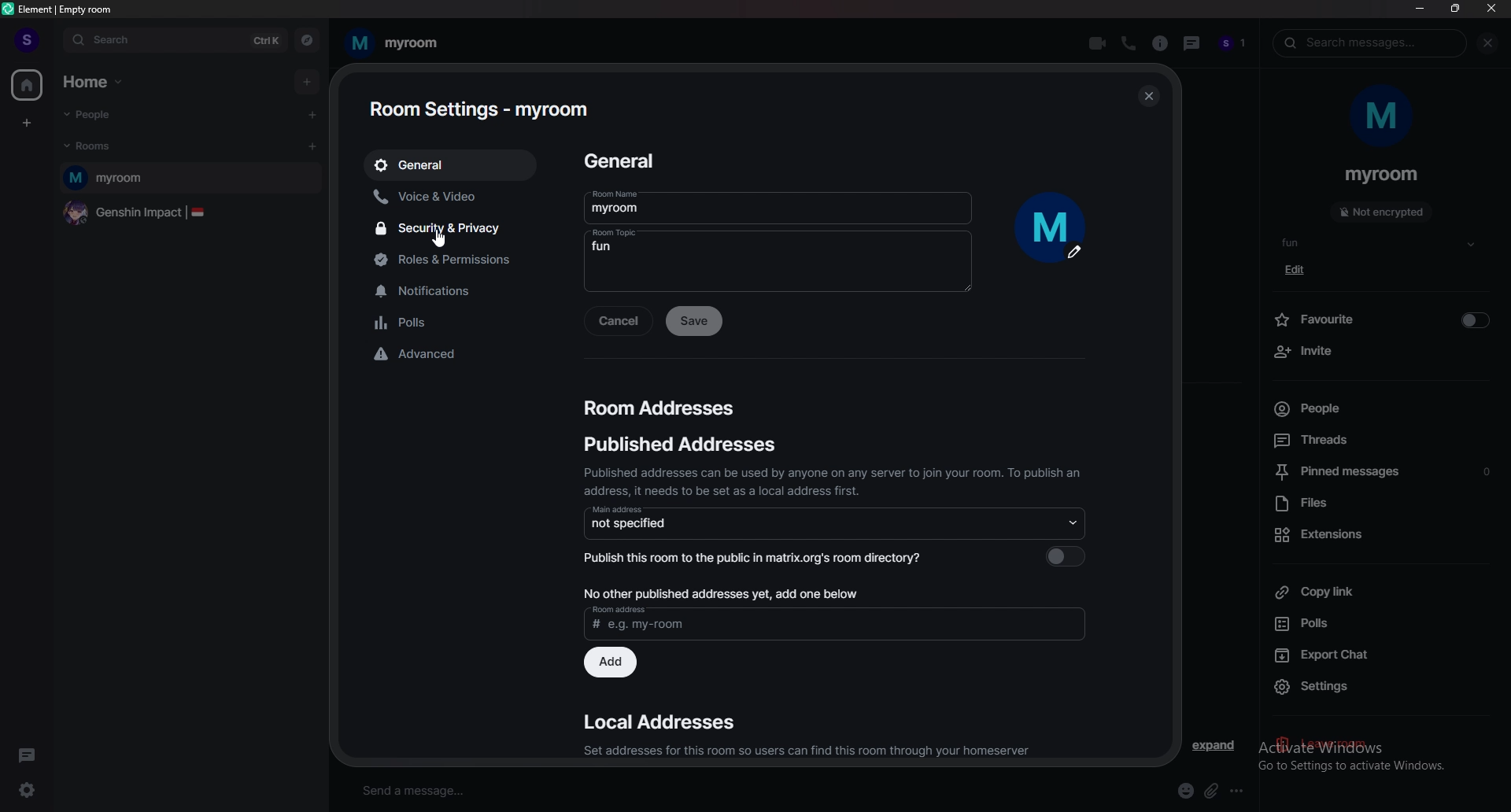  What do you see at coordinates (1382, 212) in the screenshot?
I see `not encrypted` at bounding box center [1382, 212].